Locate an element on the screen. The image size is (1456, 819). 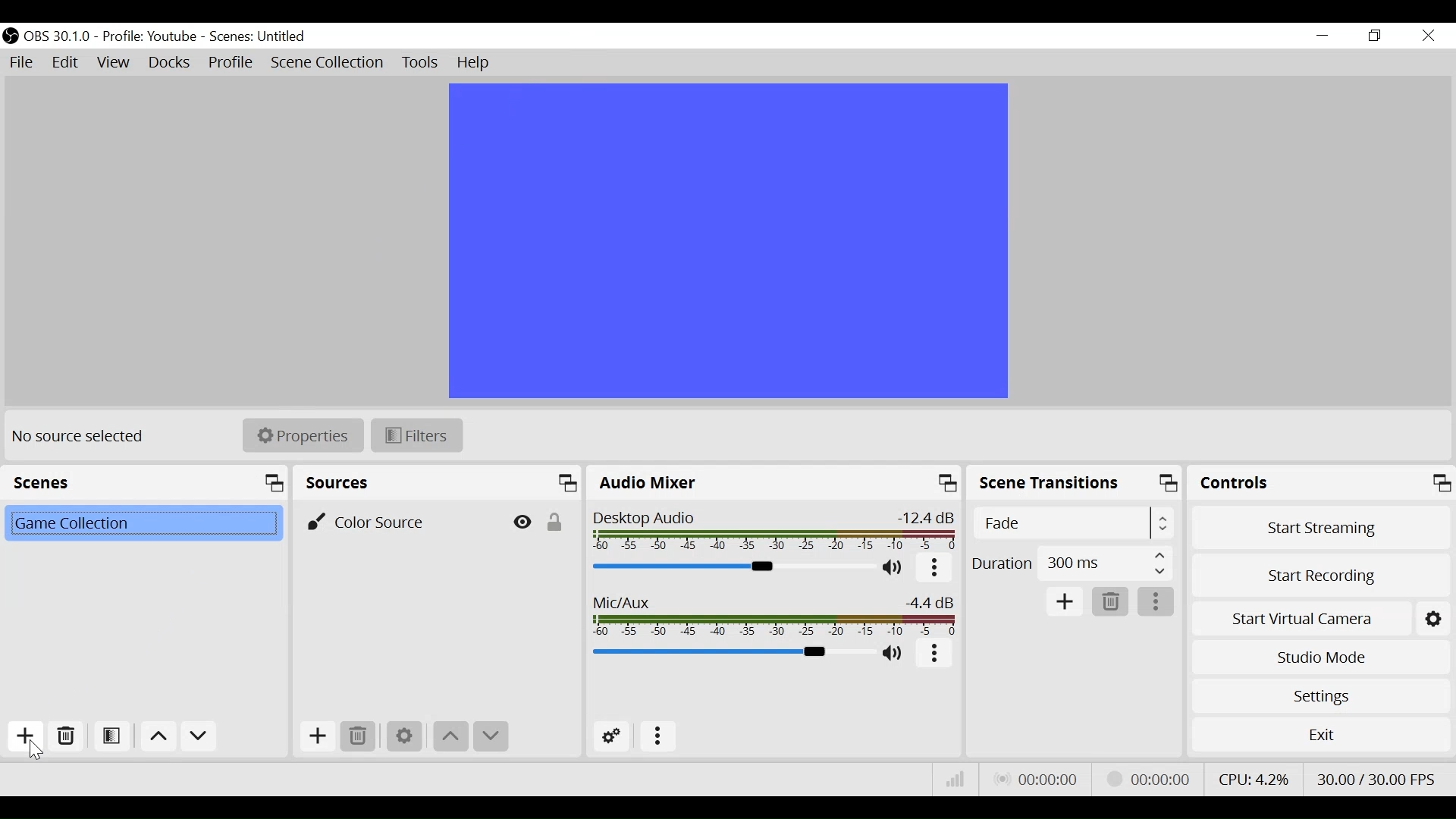
OBS Desktop Icon is located at coordinates (10, 36).